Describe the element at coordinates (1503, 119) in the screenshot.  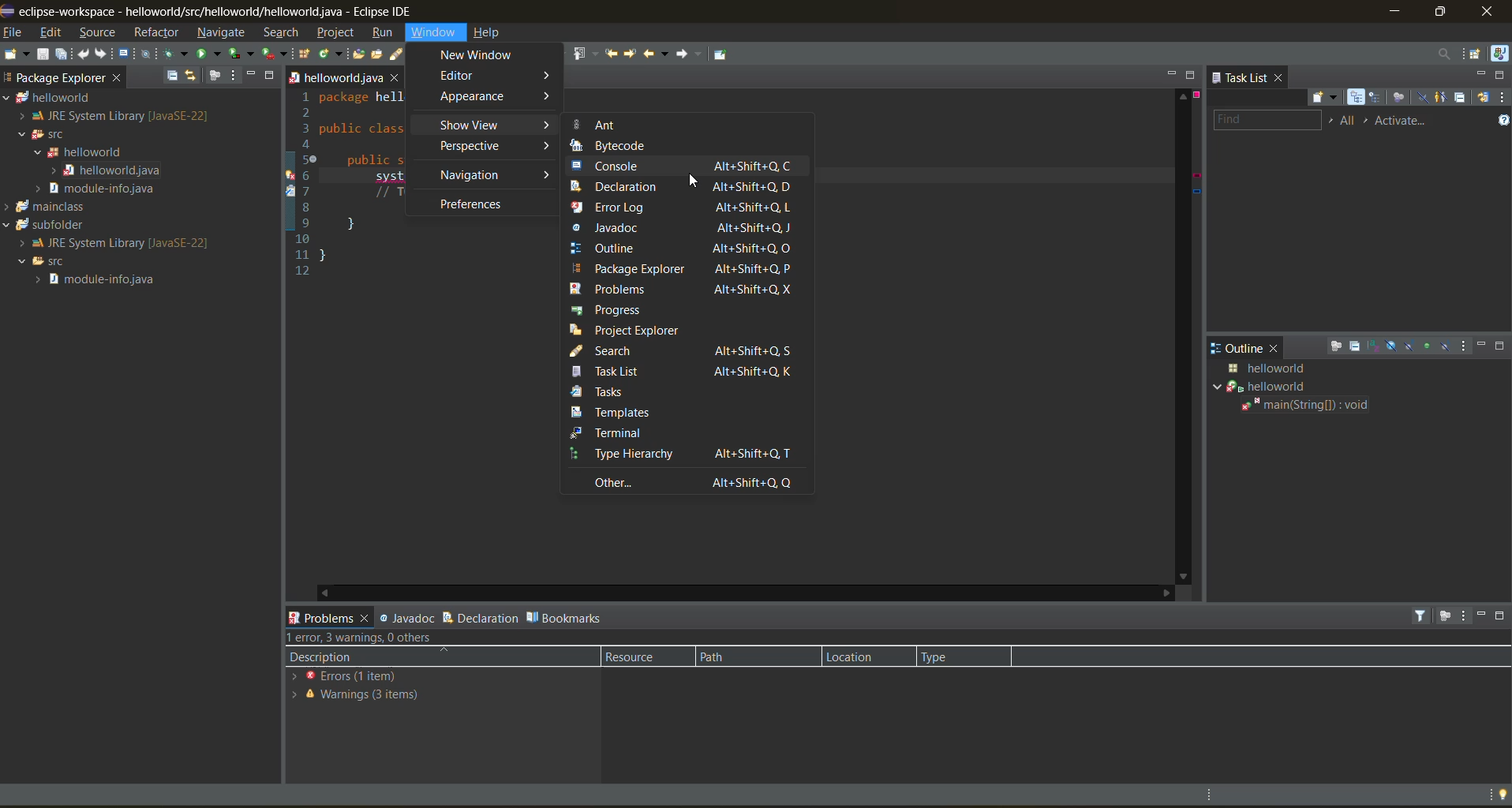
I see `show tasks UI legend` at that location.